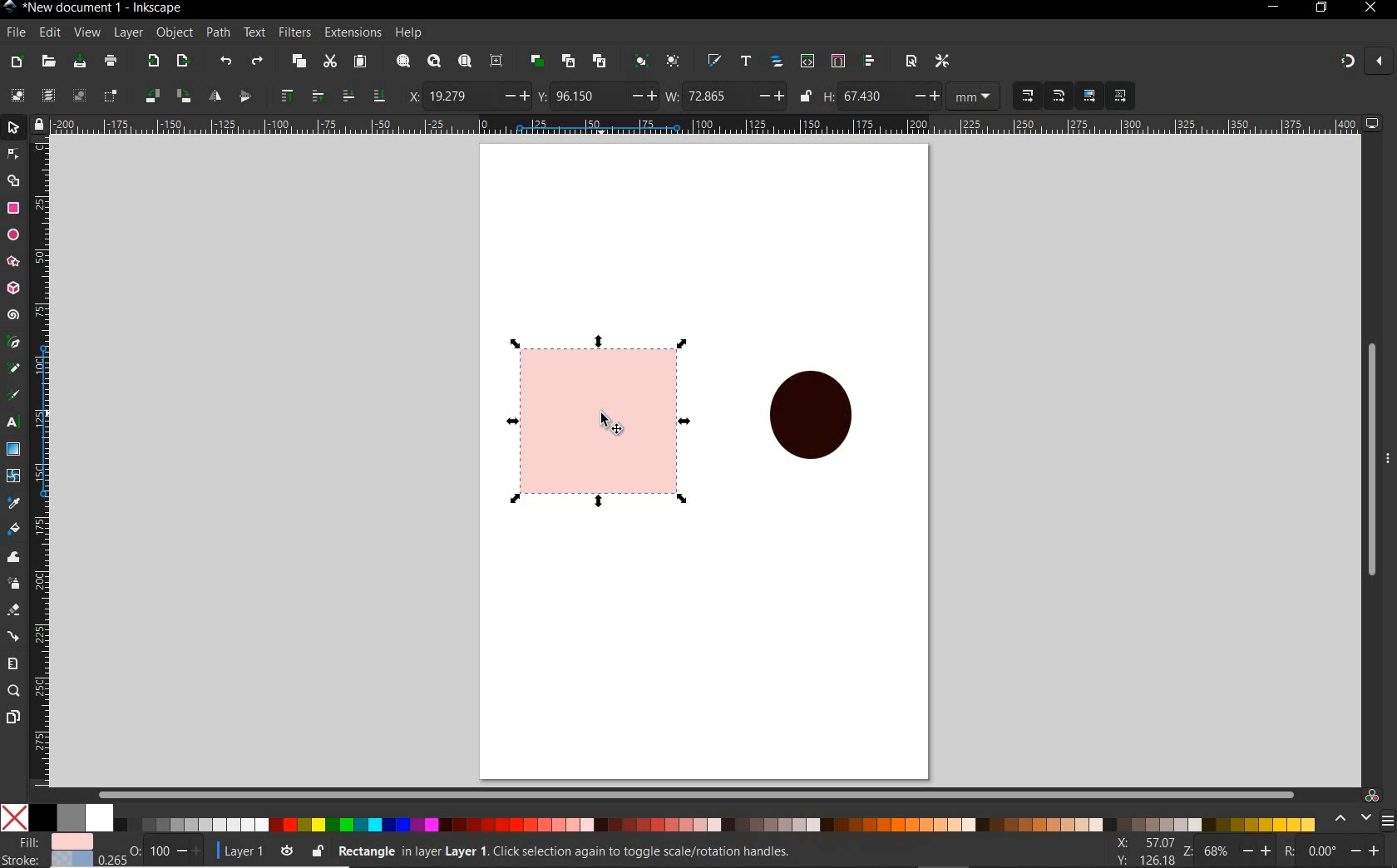  Describe the element at coordinates (409, 33) in the screenshot. I see `help` at that location.